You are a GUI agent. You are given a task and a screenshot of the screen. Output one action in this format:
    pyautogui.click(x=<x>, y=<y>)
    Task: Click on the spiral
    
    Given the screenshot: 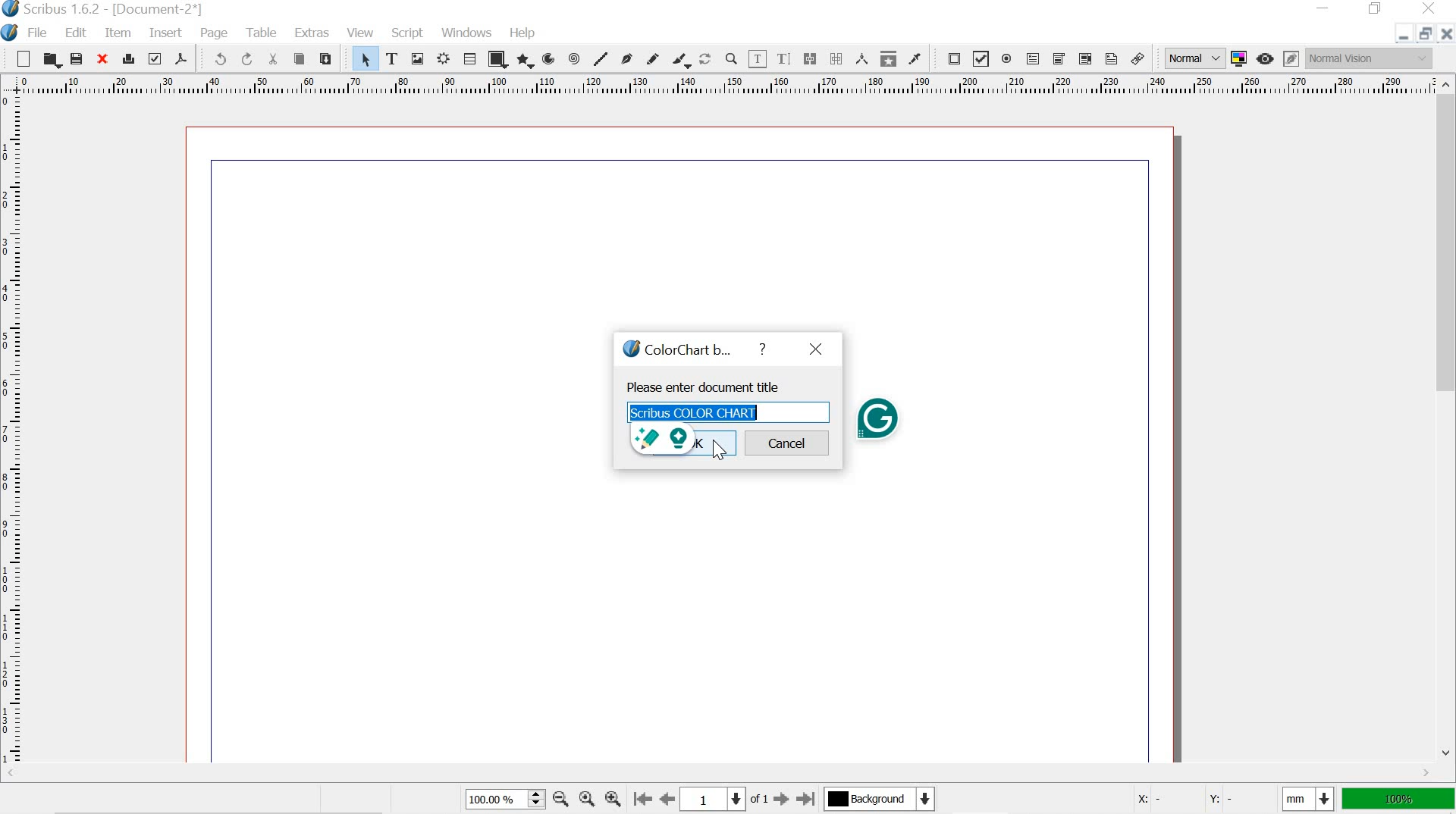 What is the action you would take?
    pyautogui.click(x=573, y=58)
    